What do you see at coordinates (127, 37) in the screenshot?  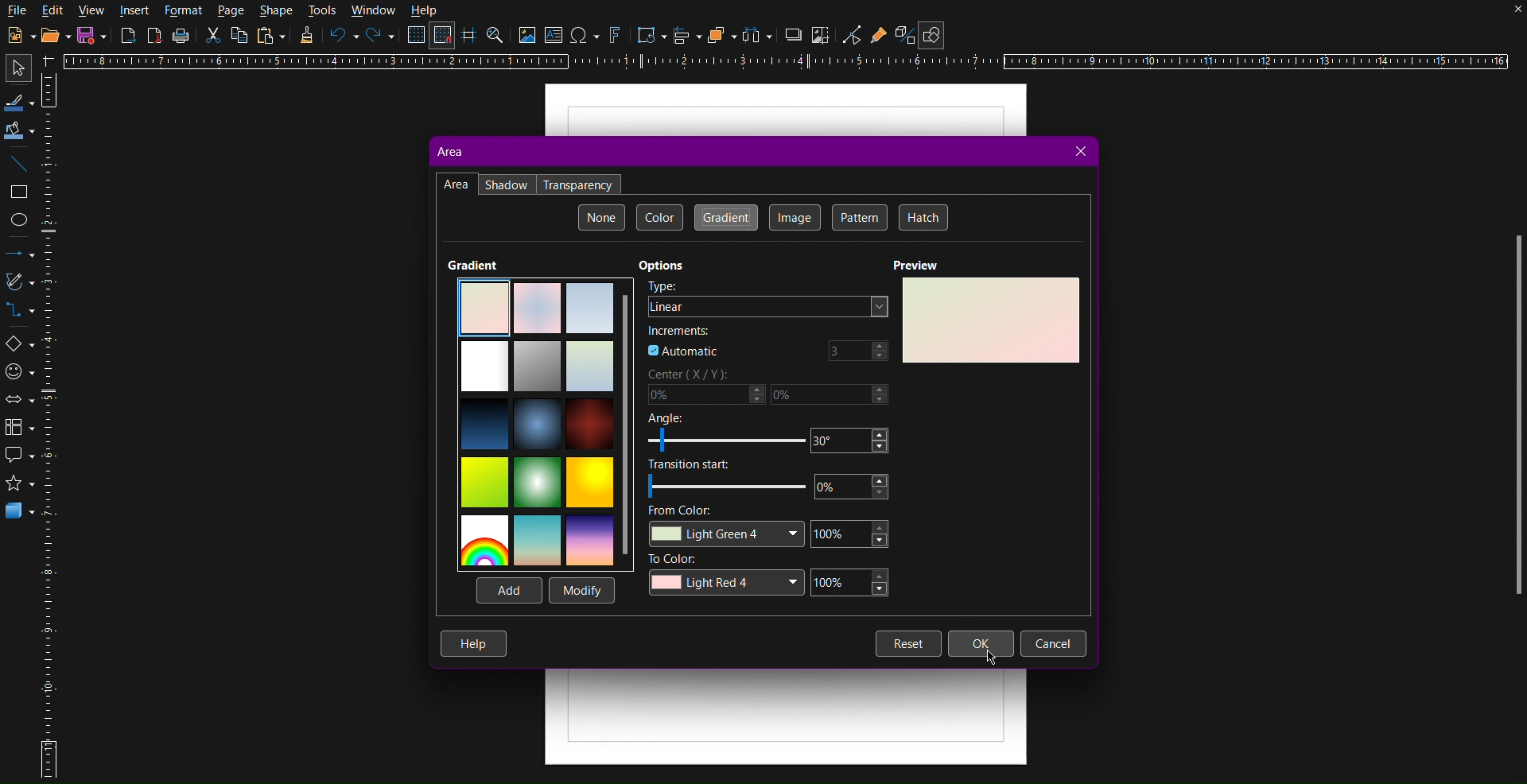 I see `Export ` at bounding box center [127, 37].